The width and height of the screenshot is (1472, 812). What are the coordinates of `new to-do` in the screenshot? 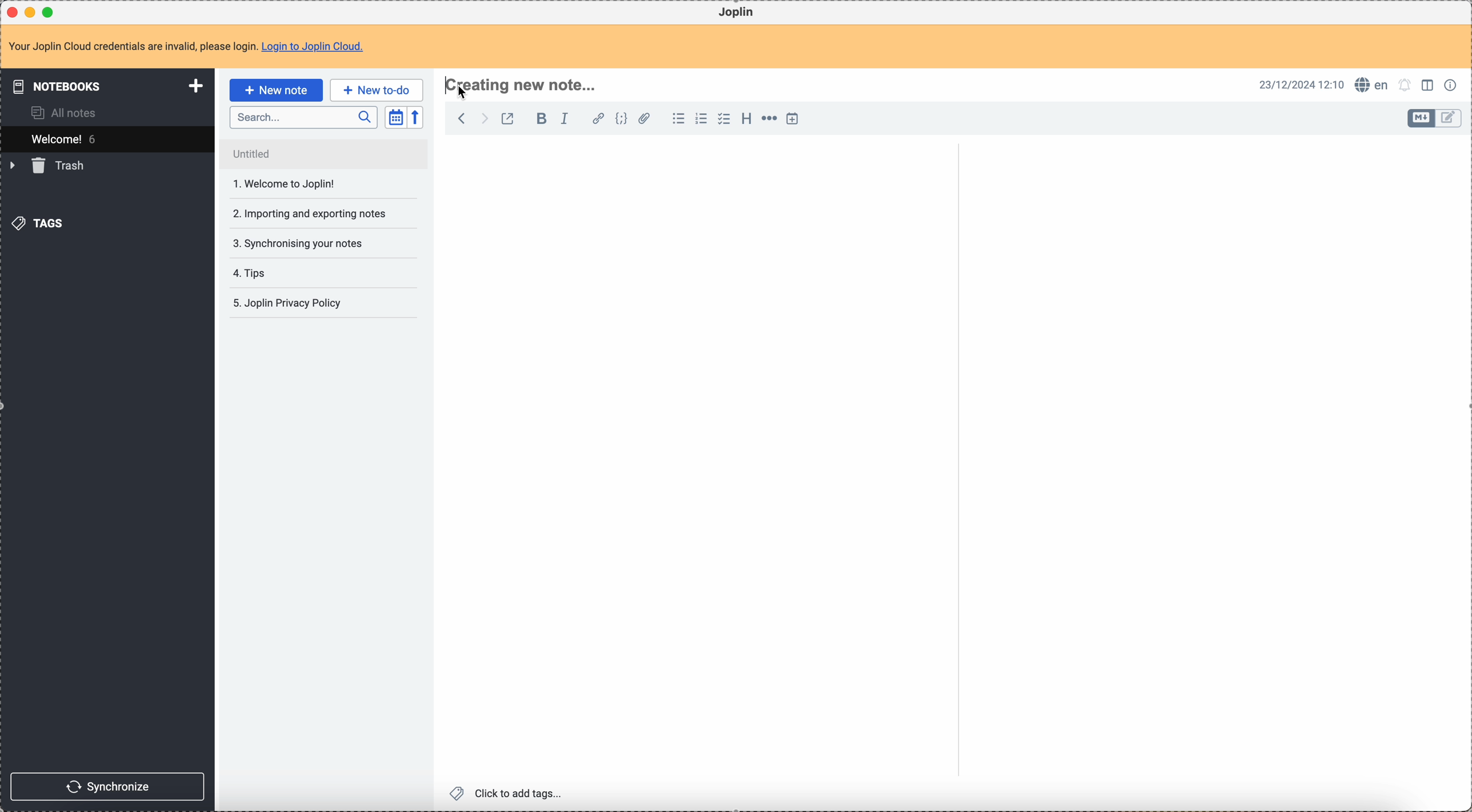 It's located at (377, 89).